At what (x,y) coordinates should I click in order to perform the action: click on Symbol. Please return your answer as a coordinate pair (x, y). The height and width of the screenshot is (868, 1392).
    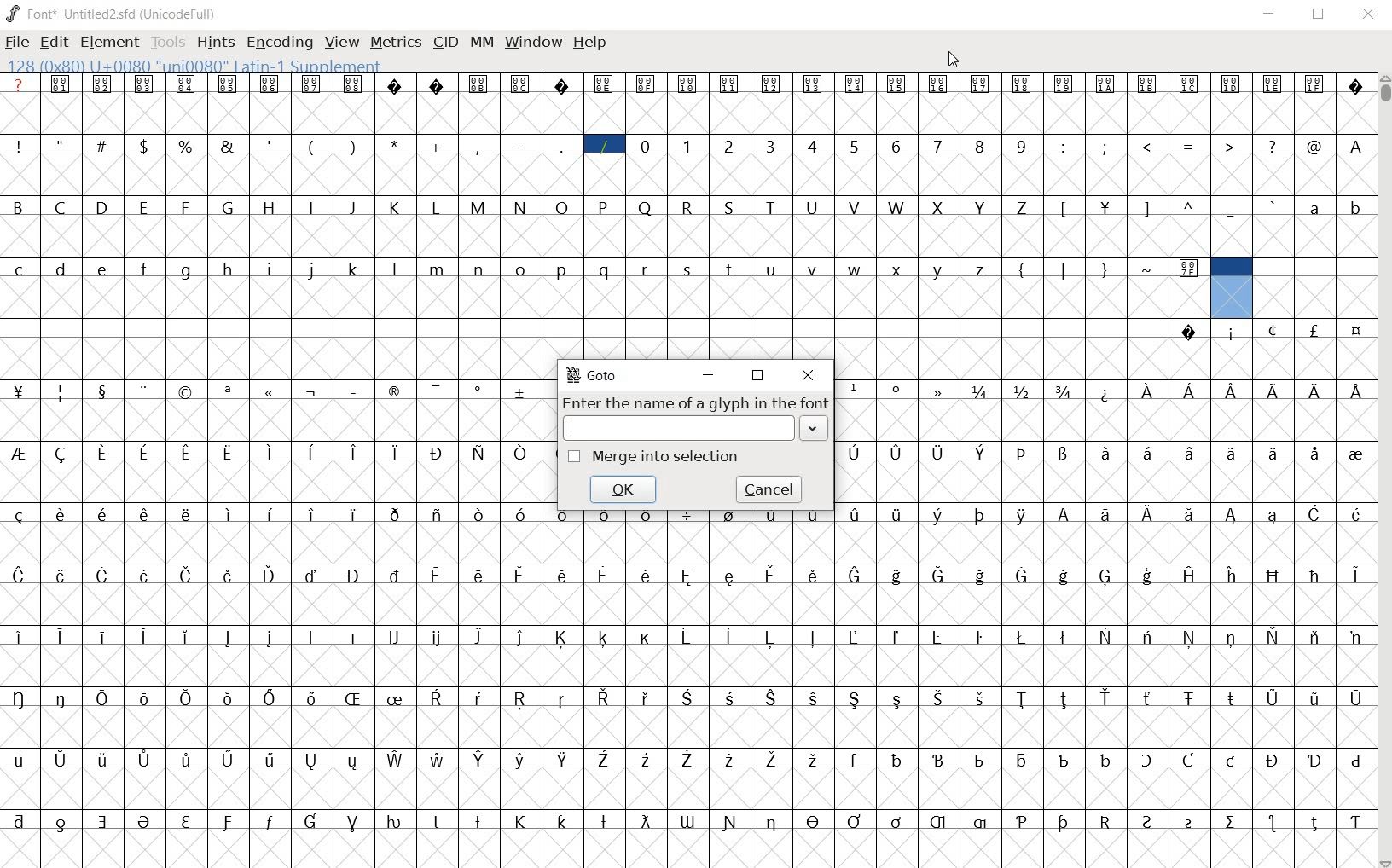
    Looking at the image, I should click on (104, 453).